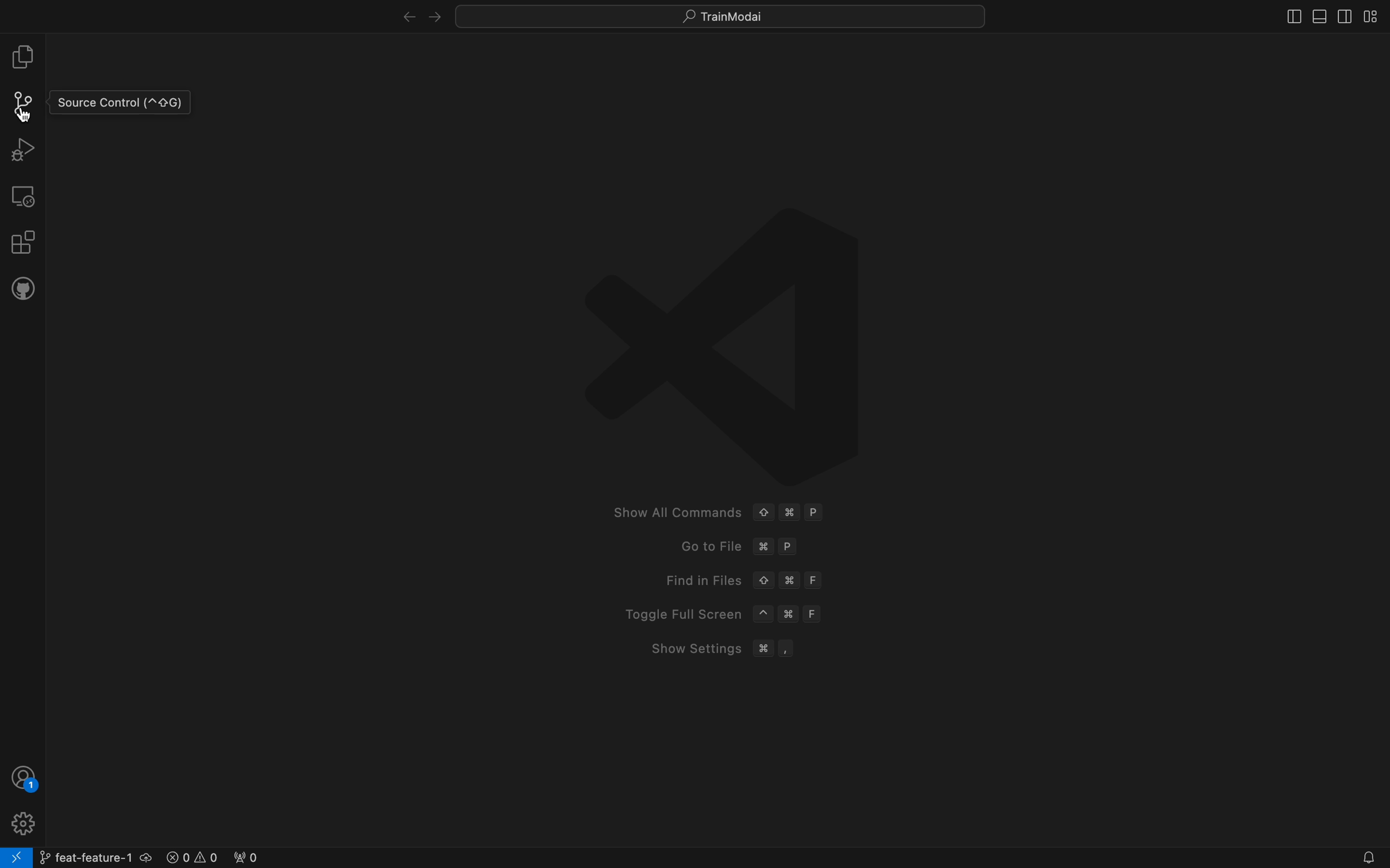  I want to click on Source Control , so click(119, 103).